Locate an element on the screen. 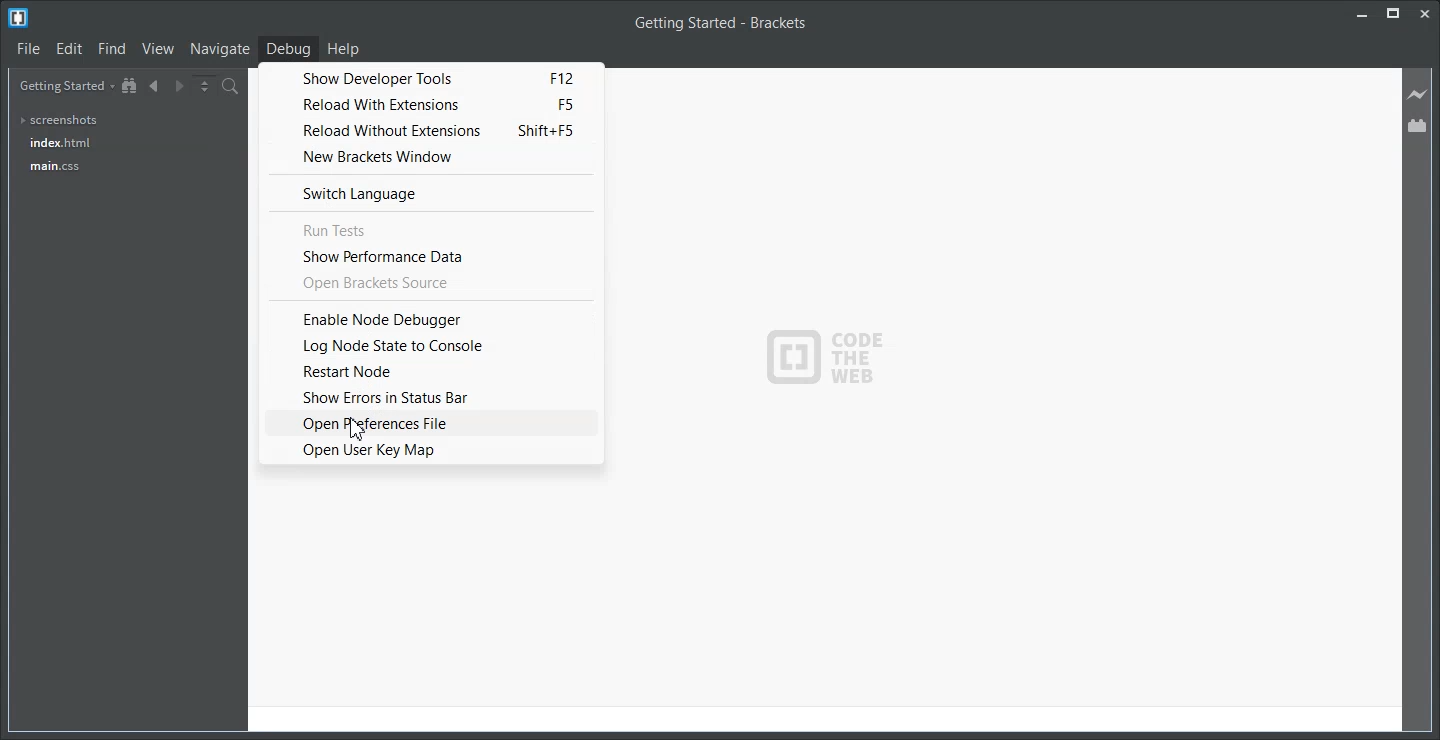 This screenshot has width=1440, height=740. Open User Key Map is located at coordinates (430, 448).